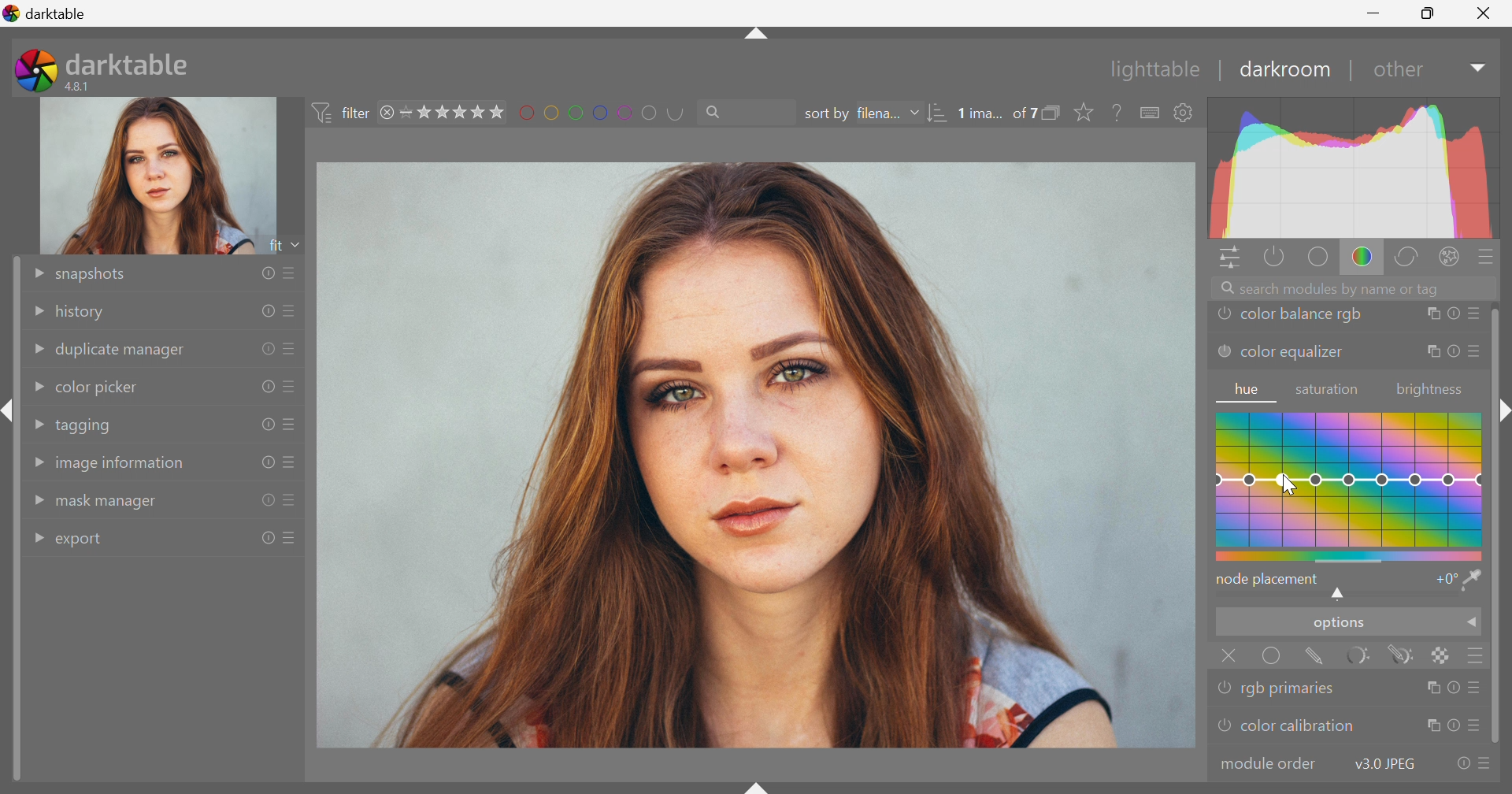 The height and width of the screenshot is (794, 1512). I want to click on enable this, then click on a control element to see its online help, so click(1118, 112).